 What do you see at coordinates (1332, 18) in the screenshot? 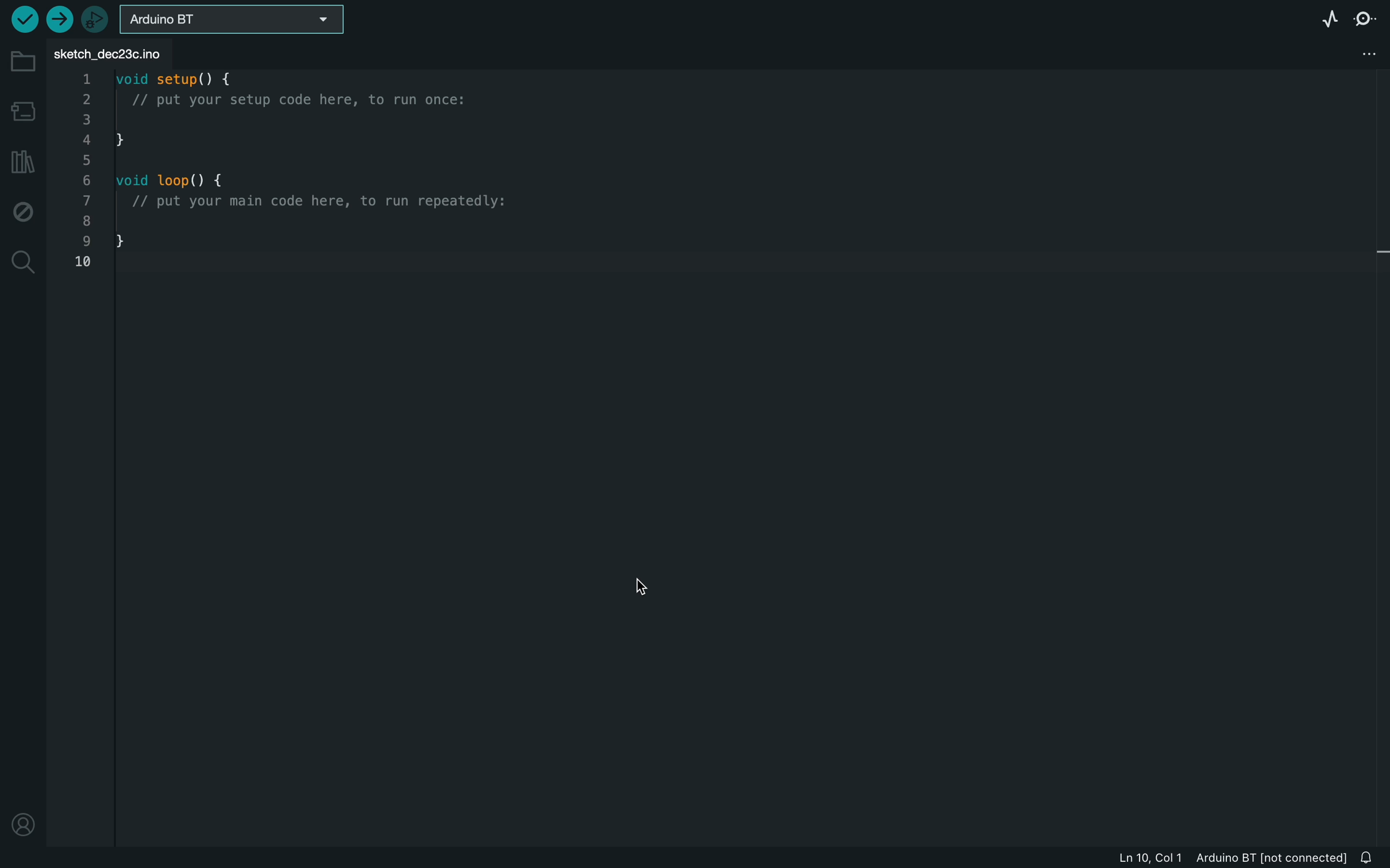
I see `serial plotter` at bounding box center [1332, 18].